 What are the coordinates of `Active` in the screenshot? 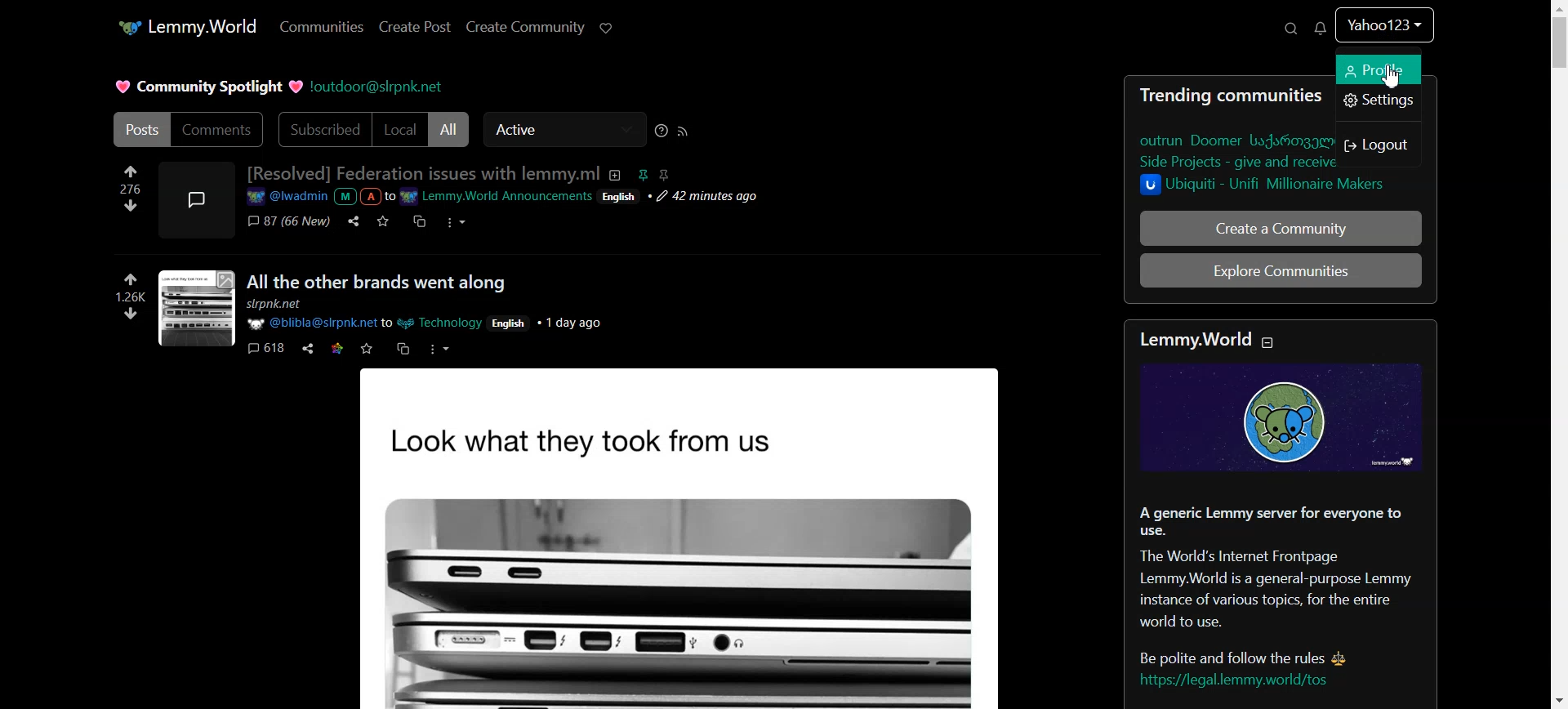 It's located at (564, 129).